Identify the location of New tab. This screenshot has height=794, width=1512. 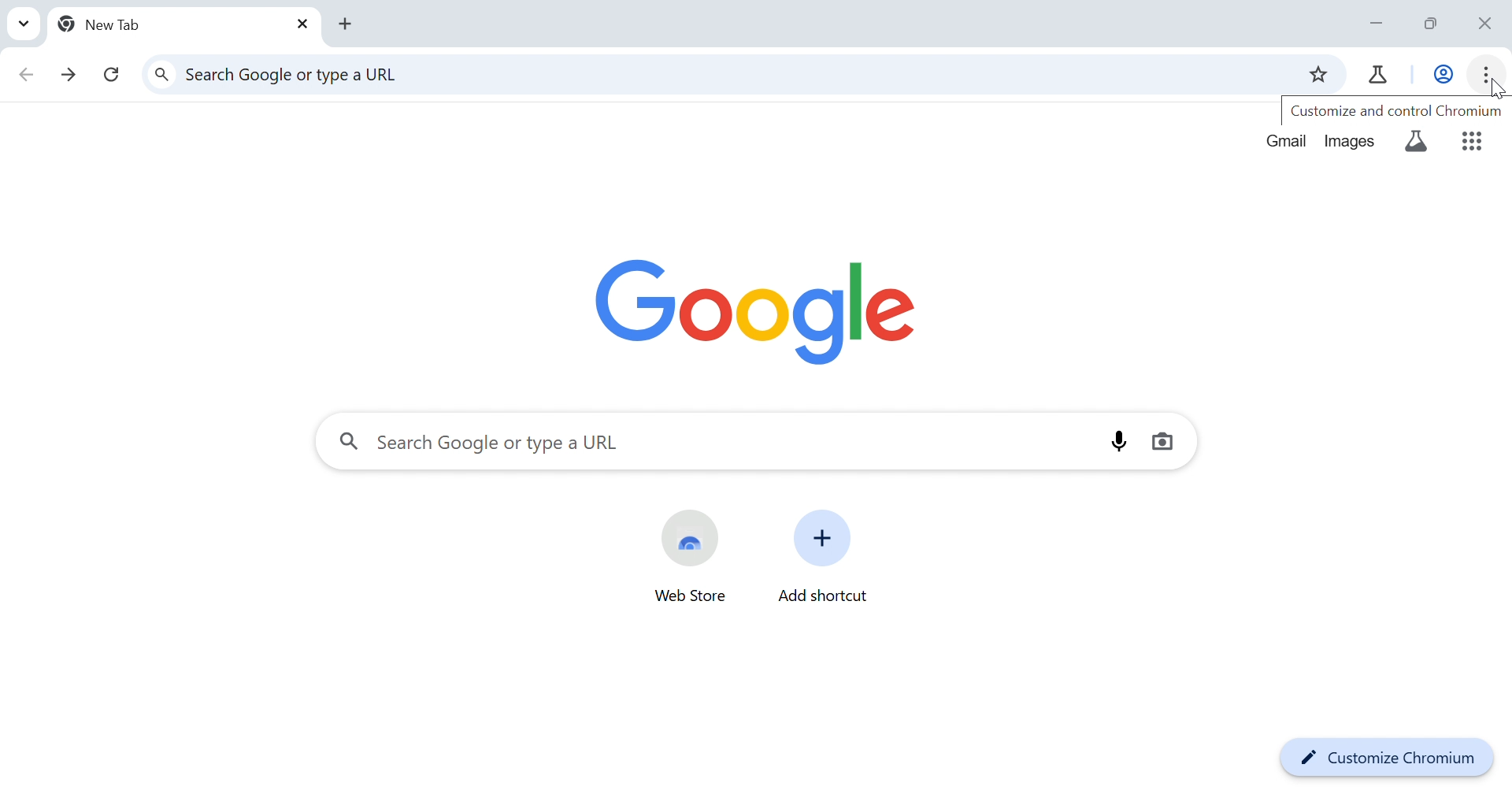
(347, 25).